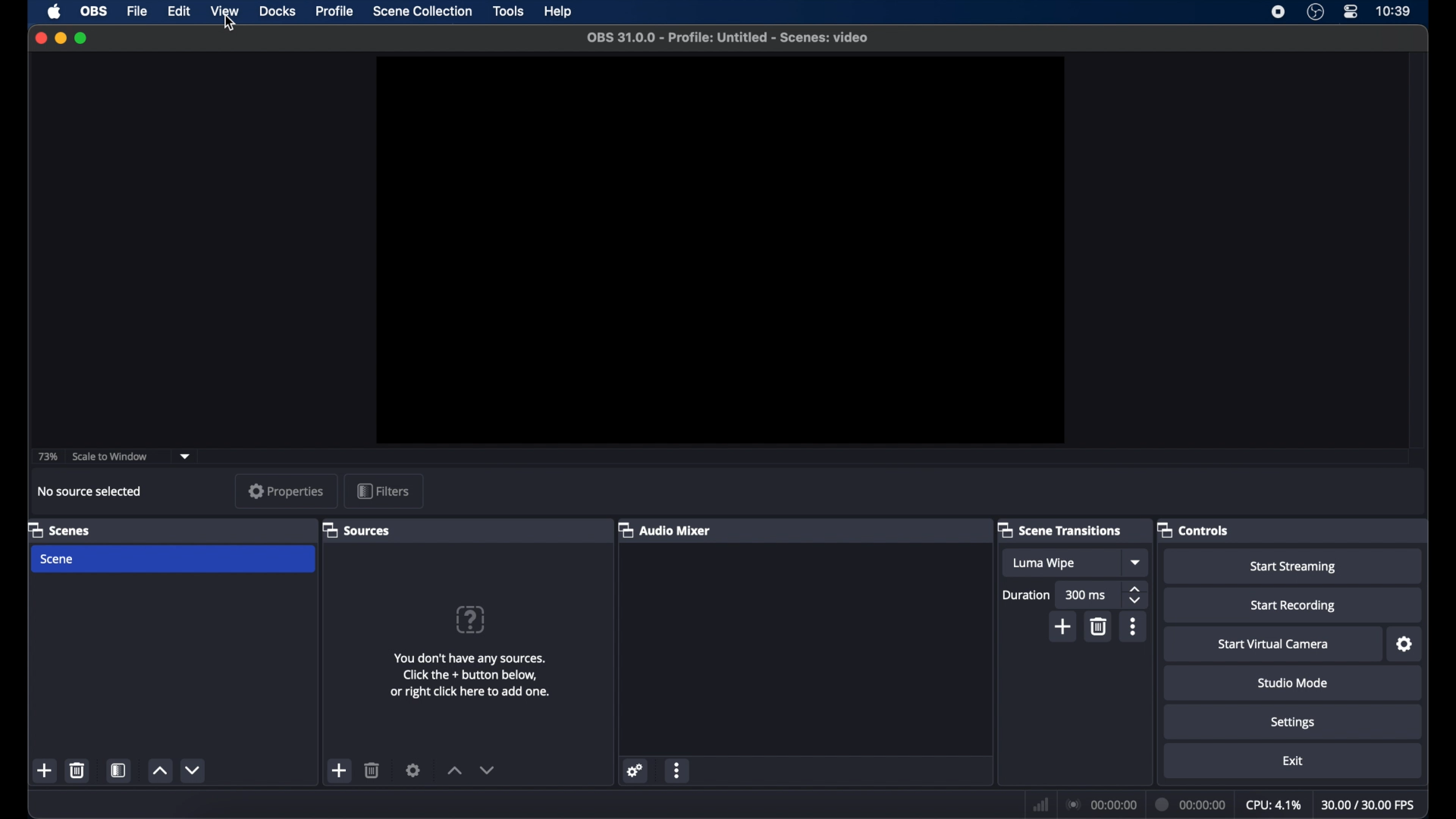 The width and height of the screenshot is (1456, 819). I want to click on increment, so click(455, 771).